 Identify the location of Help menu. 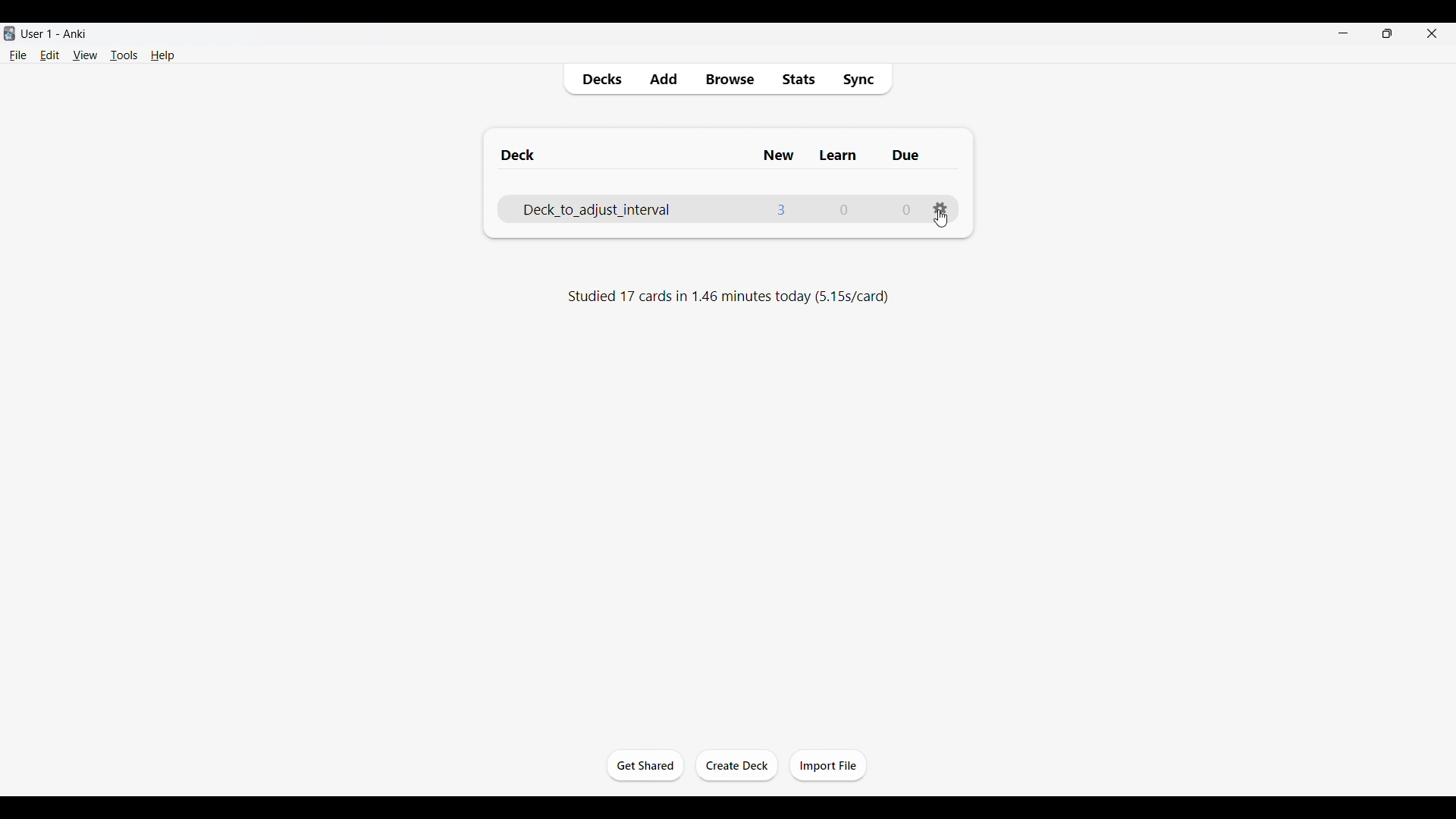
(162, 56).